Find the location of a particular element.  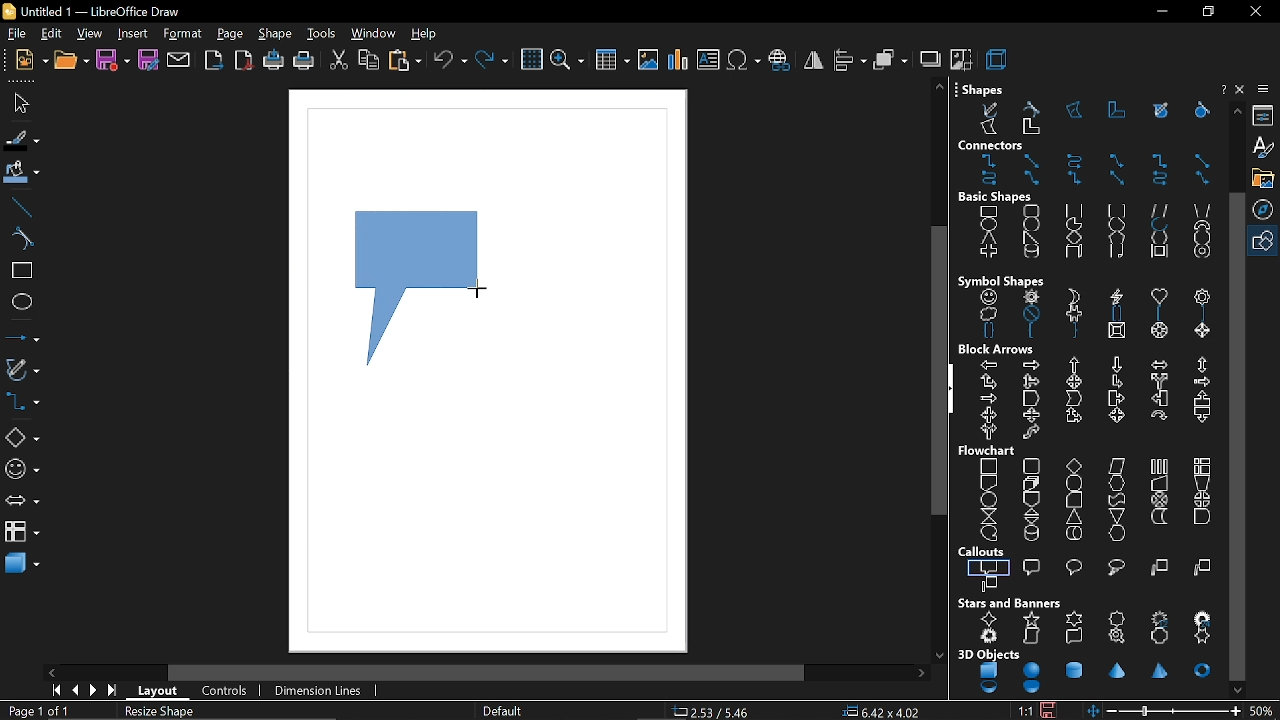

view is located at coordinates (88, 33).